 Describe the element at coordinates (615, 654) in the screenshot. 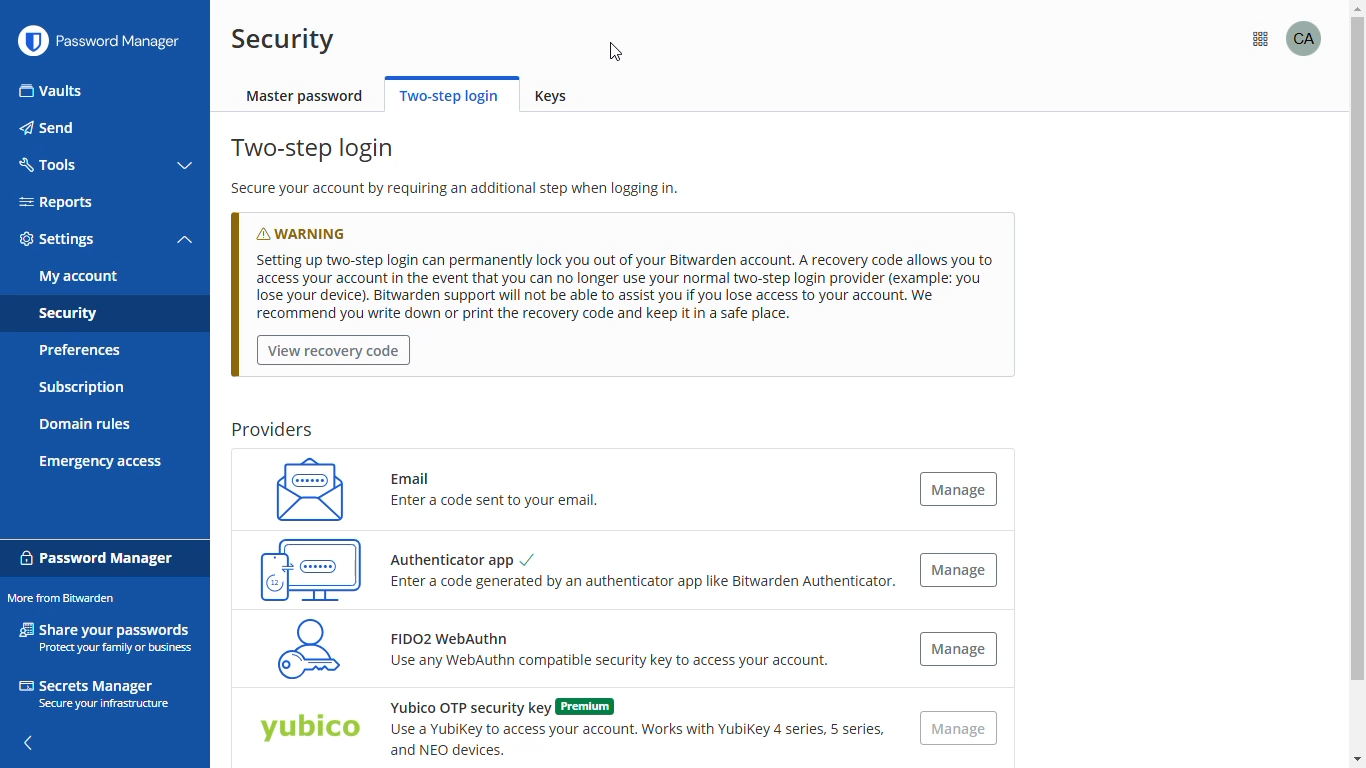

I see `FIDO2 WebAuthn
Use any WebAuthn compatible security key to access your account.` at that location.